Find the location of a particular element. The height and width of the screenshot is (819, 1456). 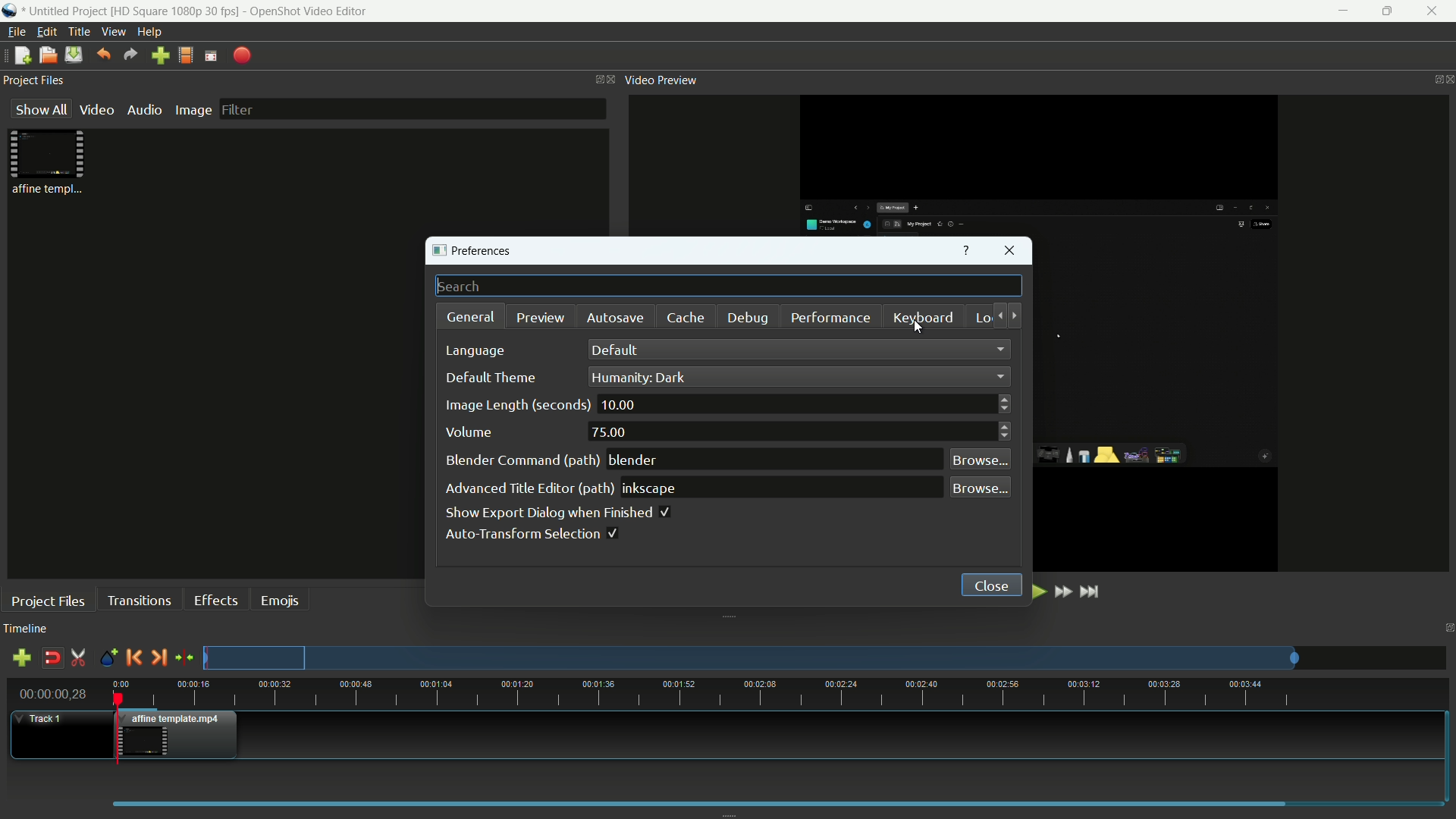

cursor is located at coordinates (924, 328).